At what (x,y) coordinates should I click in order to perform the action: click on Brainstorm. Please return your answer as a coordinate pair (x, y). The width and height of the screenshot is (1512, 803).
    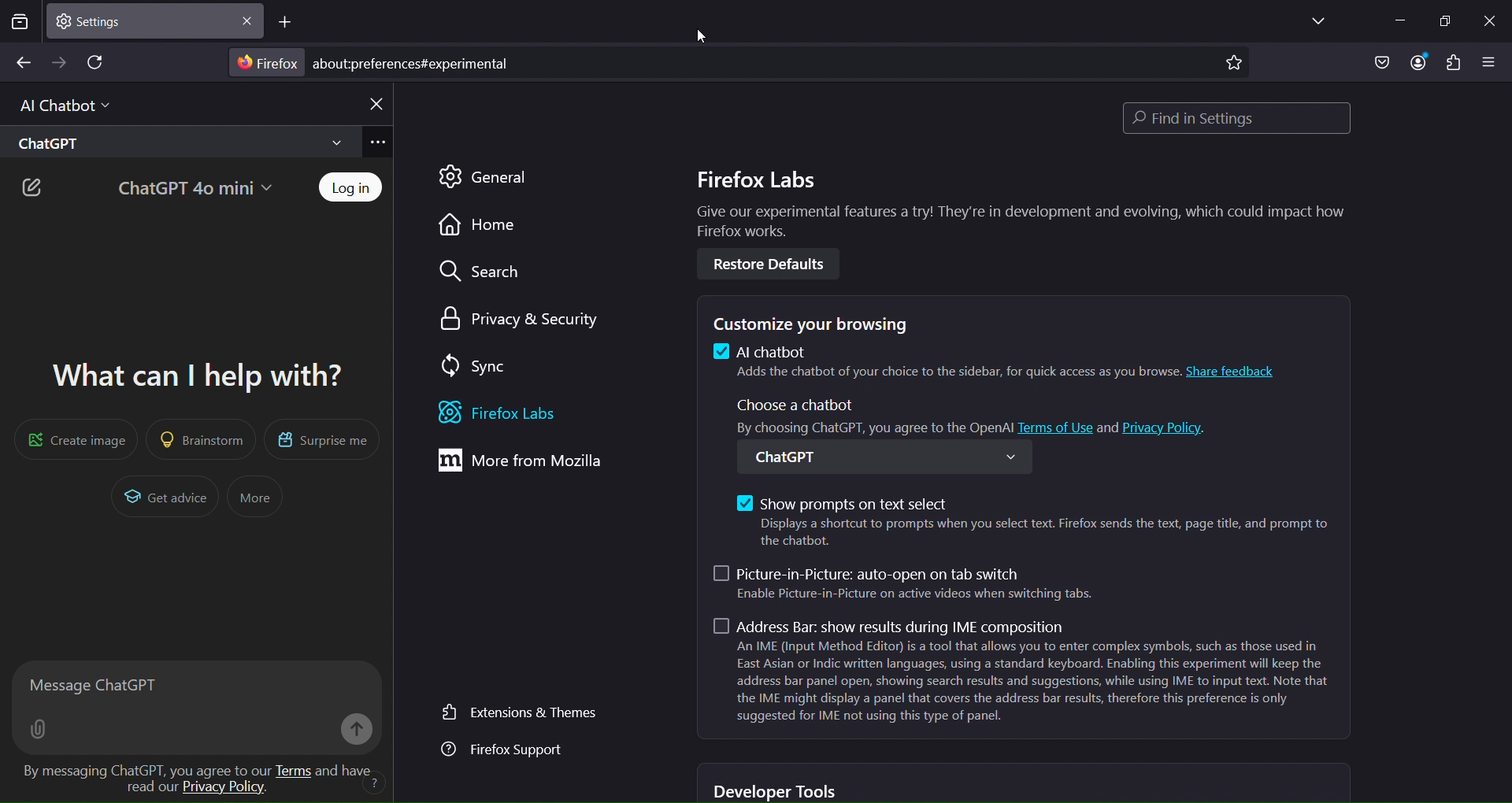
    Looking at the image, I should click on (202, 439).